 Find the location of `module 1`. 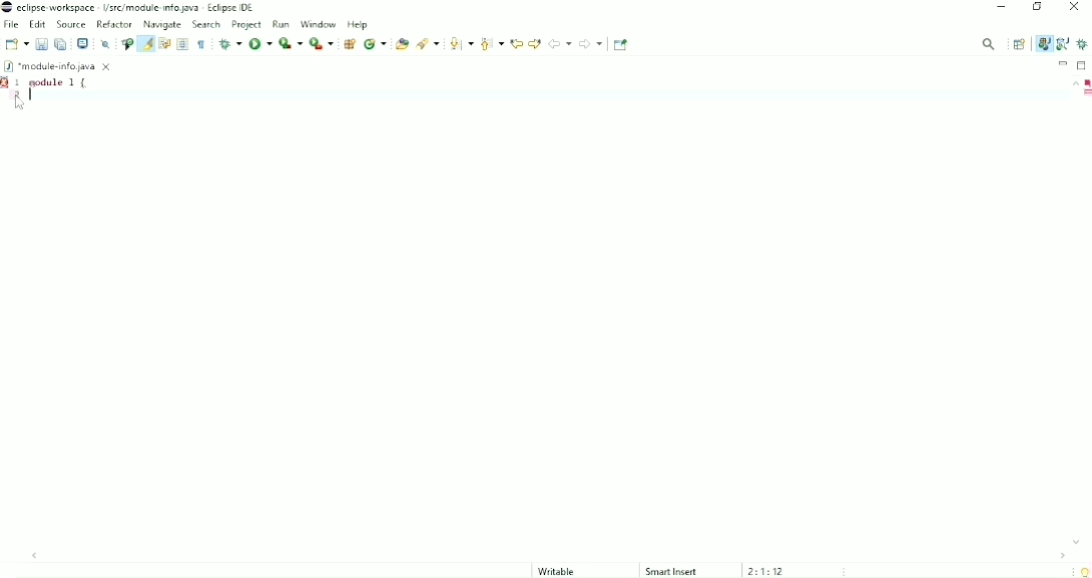

module 1 is located at coordinates (60, 82).